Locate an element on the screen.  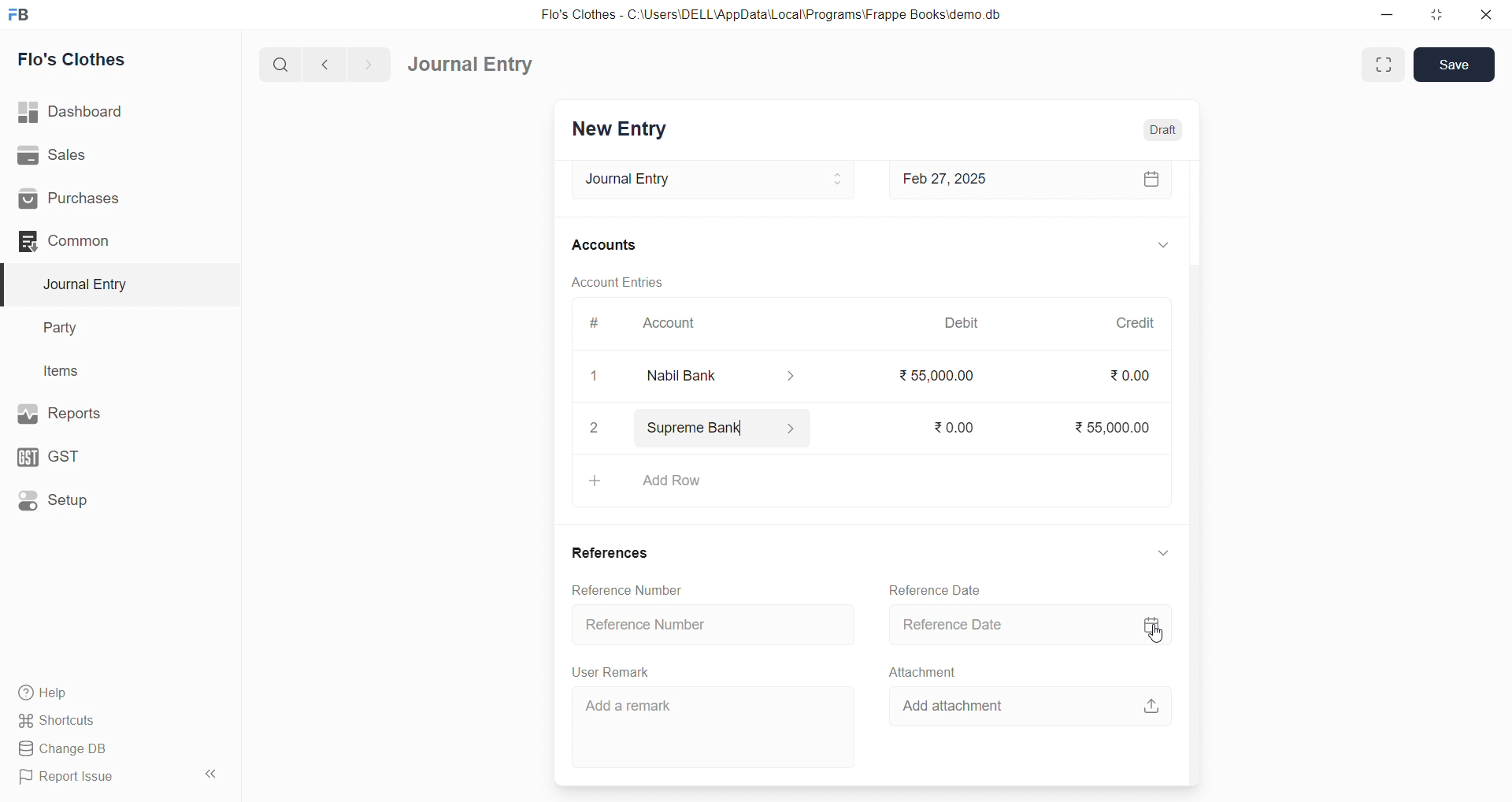
cursor is located at coordinates (1163, 638).